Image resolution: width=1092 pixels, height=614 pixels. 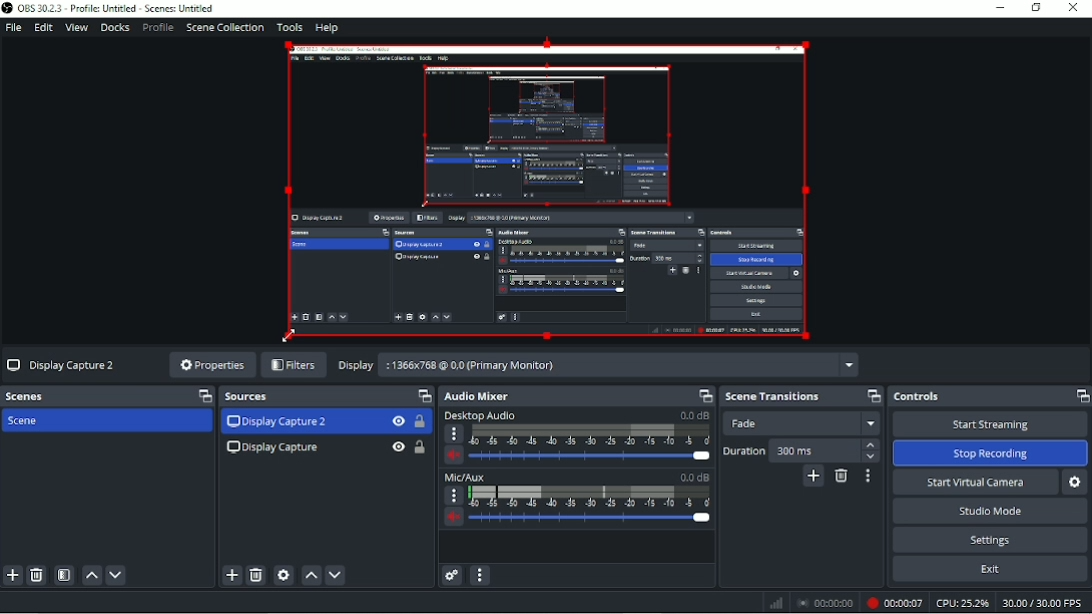 I want to click on Docks, so click(x=114, y=28).